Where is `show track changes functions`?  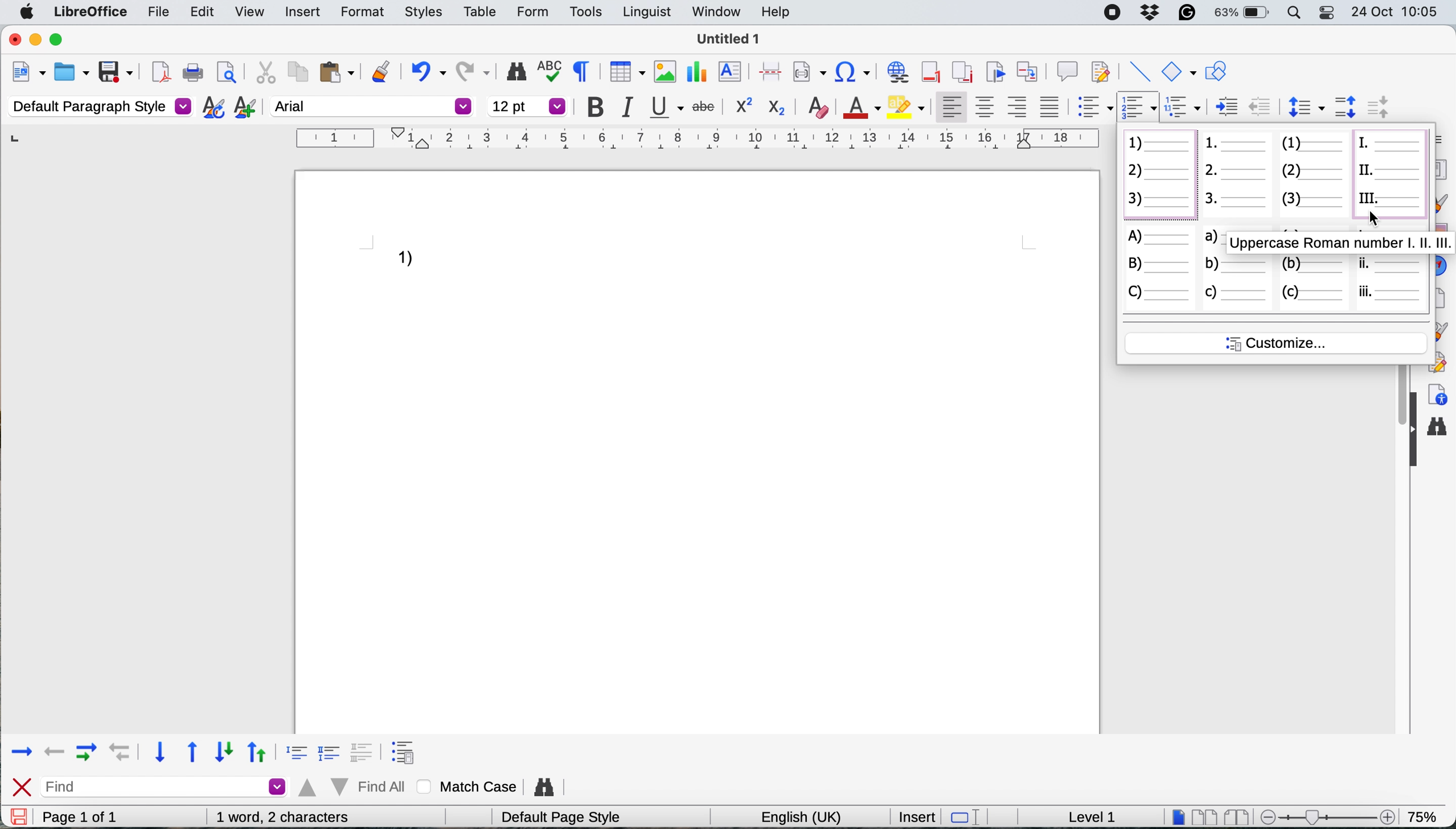 show track changes functions is located at coordinates (1102, 70).